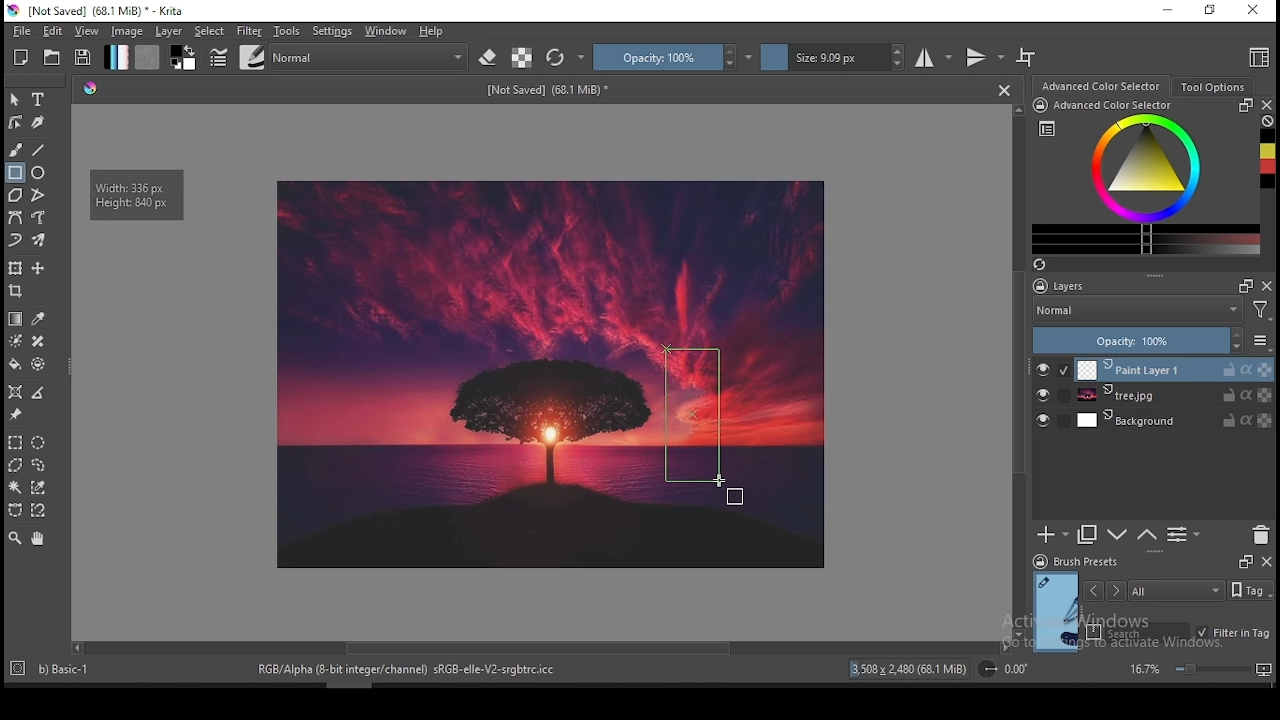 The image size is (1280, 720). What do you see at coordinates (1175, 421) in the screenshot?
I see `layer` at bounding box center [1175, 421].